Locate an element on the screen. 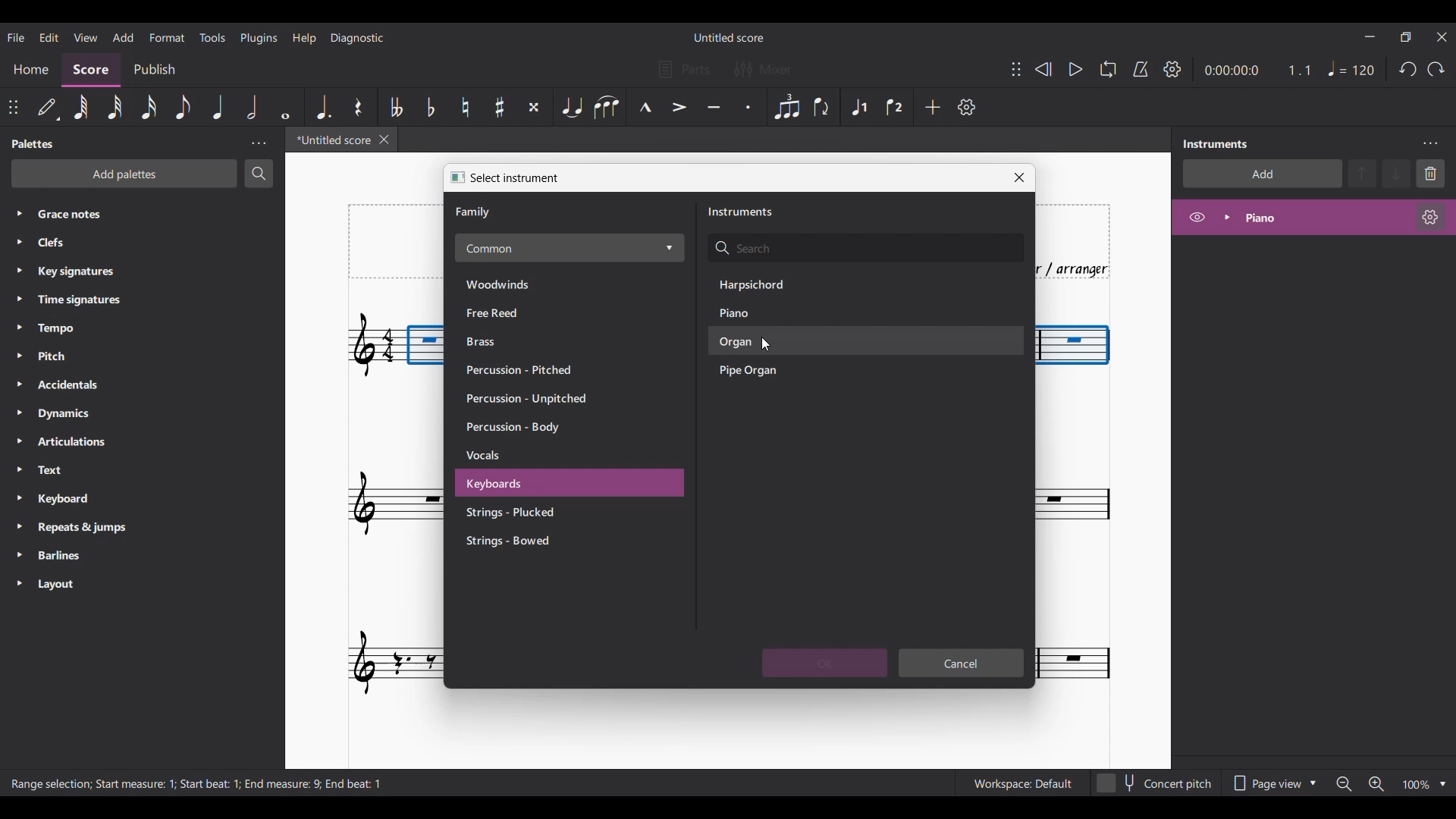 This screenshot has height=819, width=1456. Zoom factor is located at coordinates (1417, 785).